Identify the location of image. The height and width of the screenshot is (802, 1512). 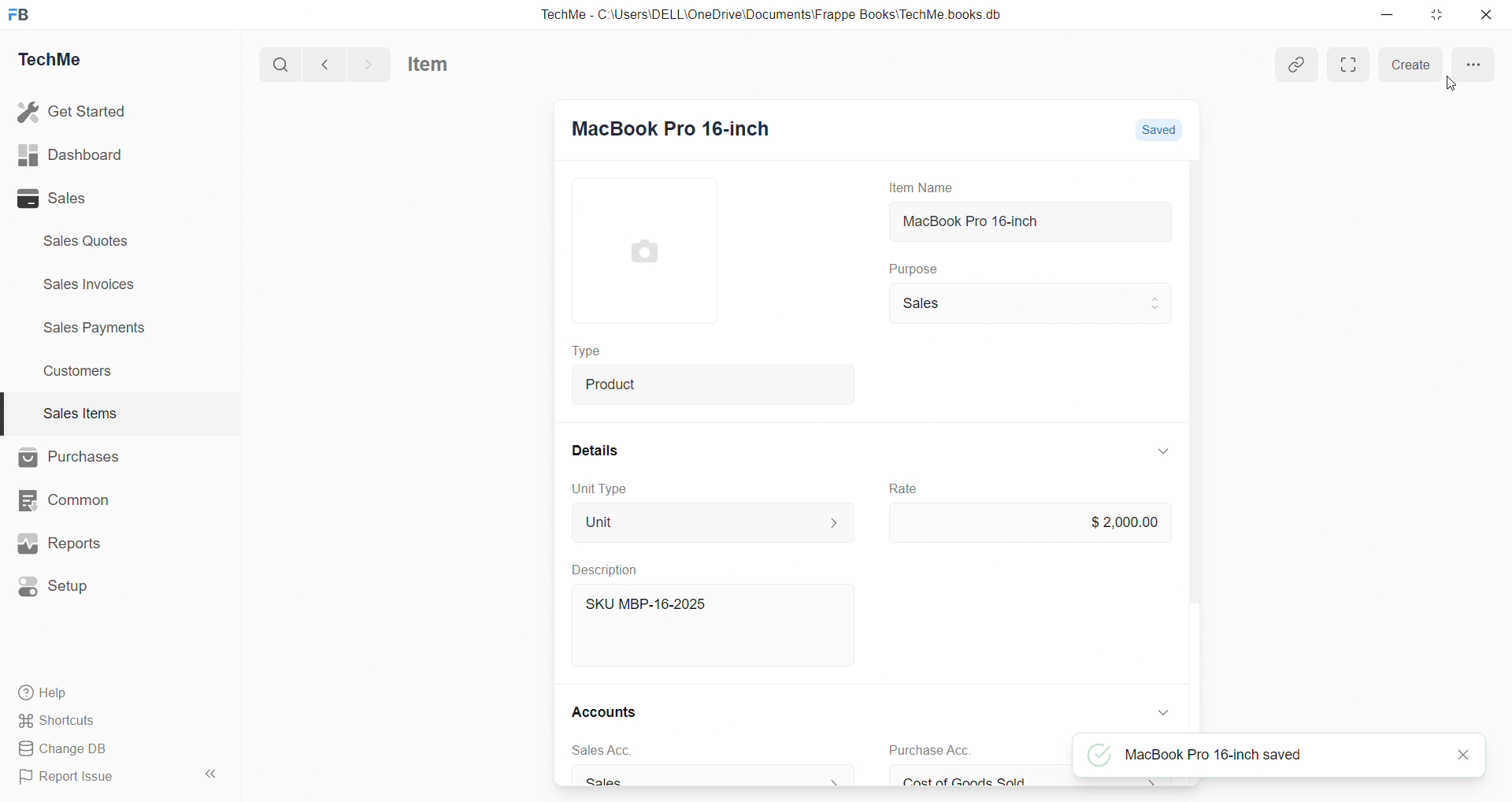
(643, 251).